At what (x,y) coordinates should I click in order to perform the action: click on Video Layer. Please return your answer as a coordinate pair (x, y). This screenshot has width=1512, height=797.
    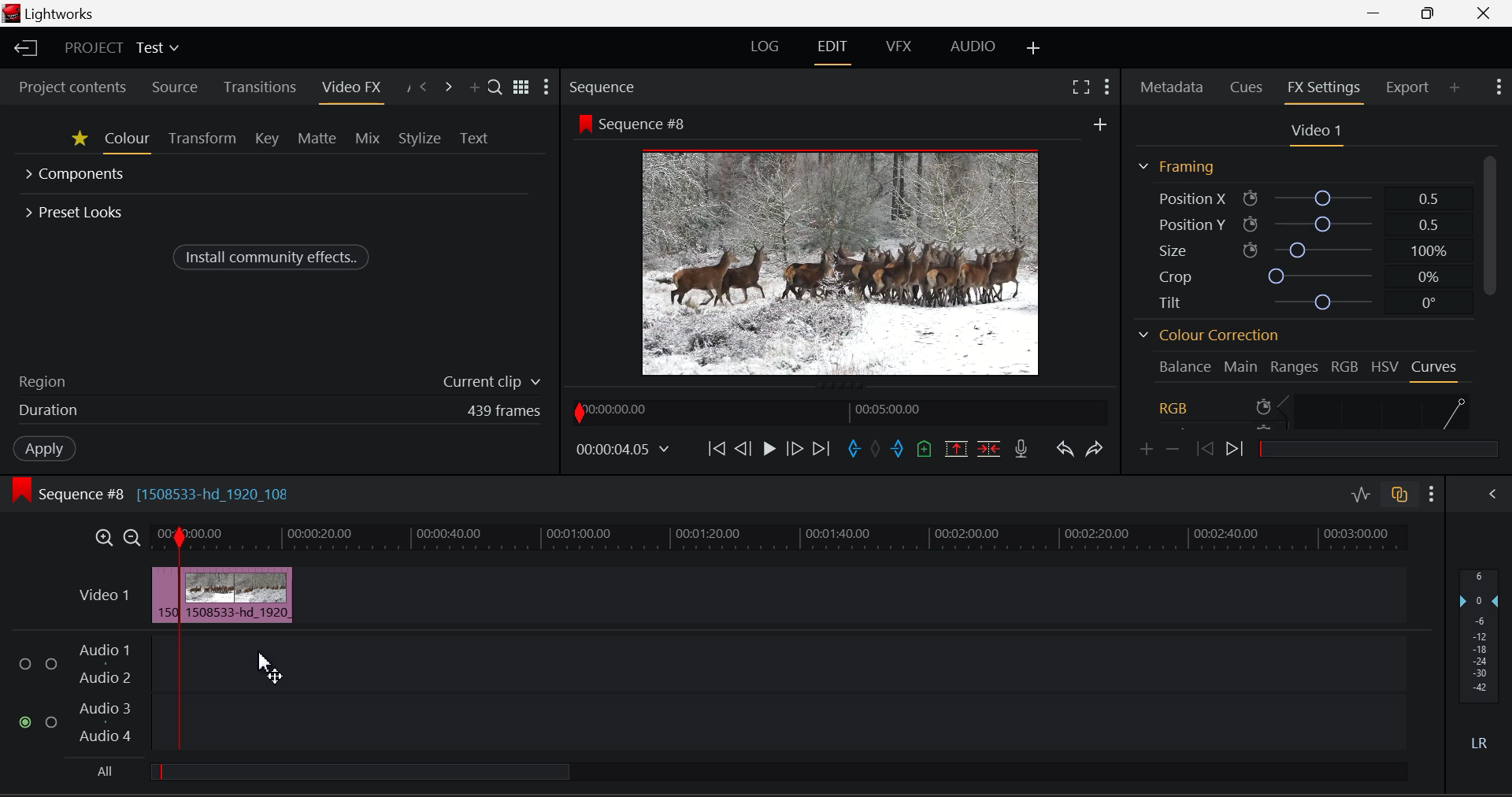
    Looking at the image, I should click on (104, 599).